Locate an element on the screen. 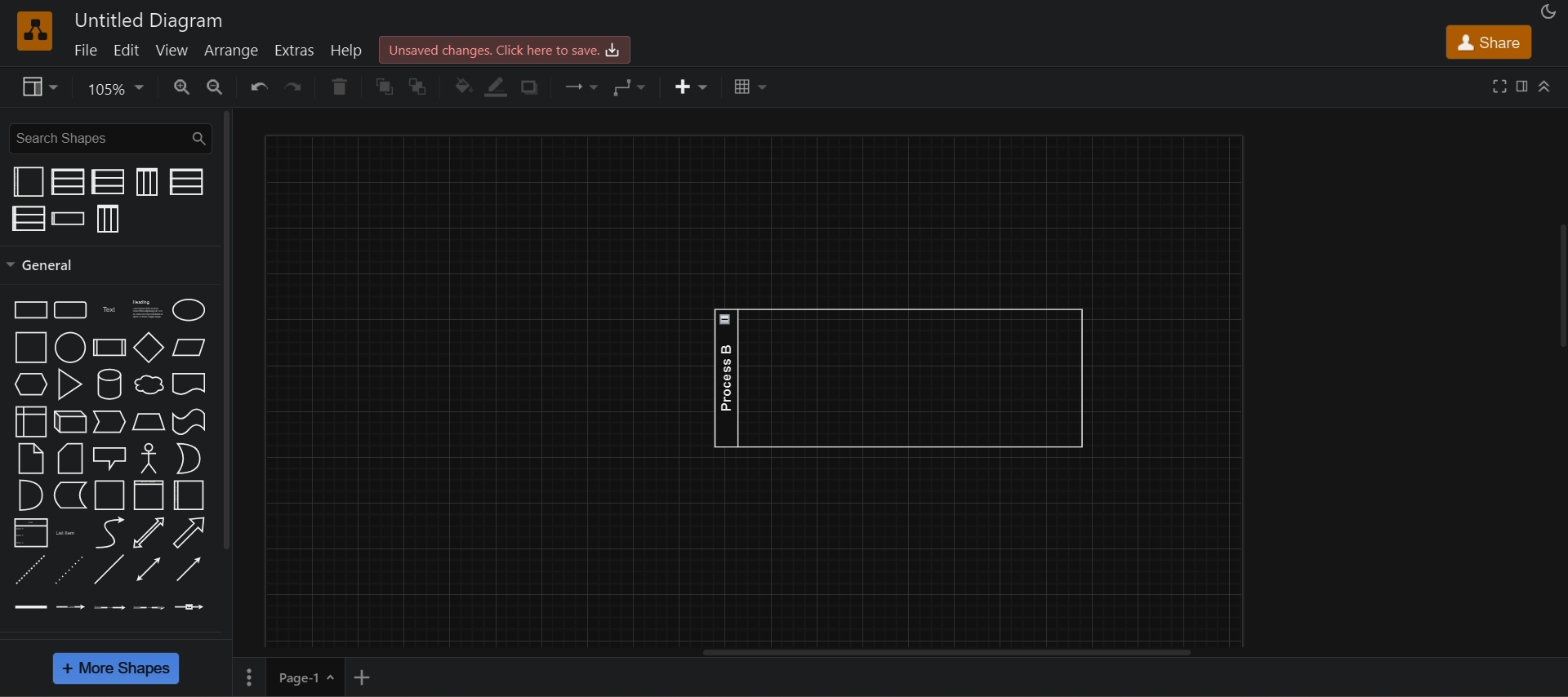 The image size is (1568, 697). page 1 is located at coordinates (305, 677).